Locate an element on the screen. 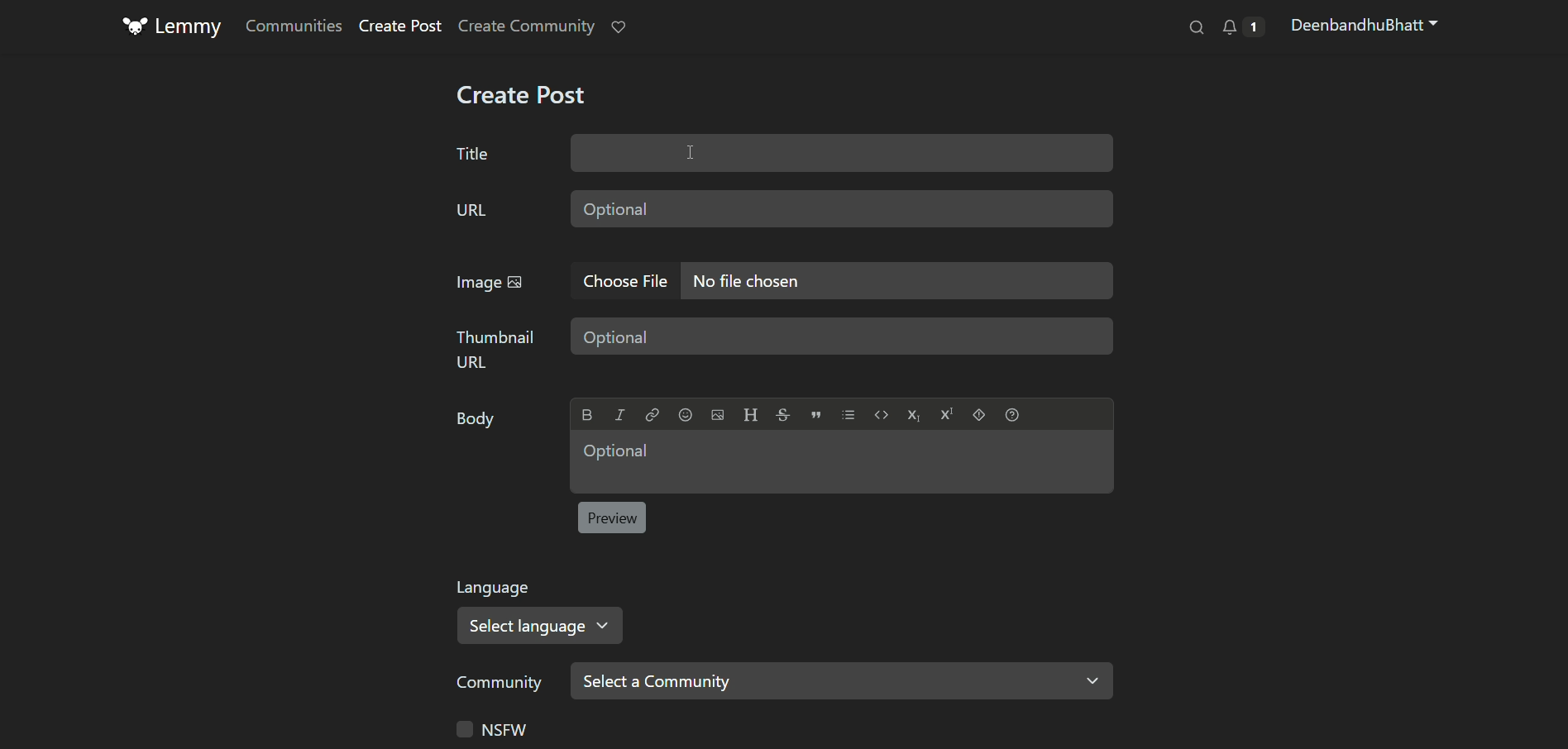 The width and height of the screenshot is (1568, 749). Spoiler is located at coordinates (979, 414).